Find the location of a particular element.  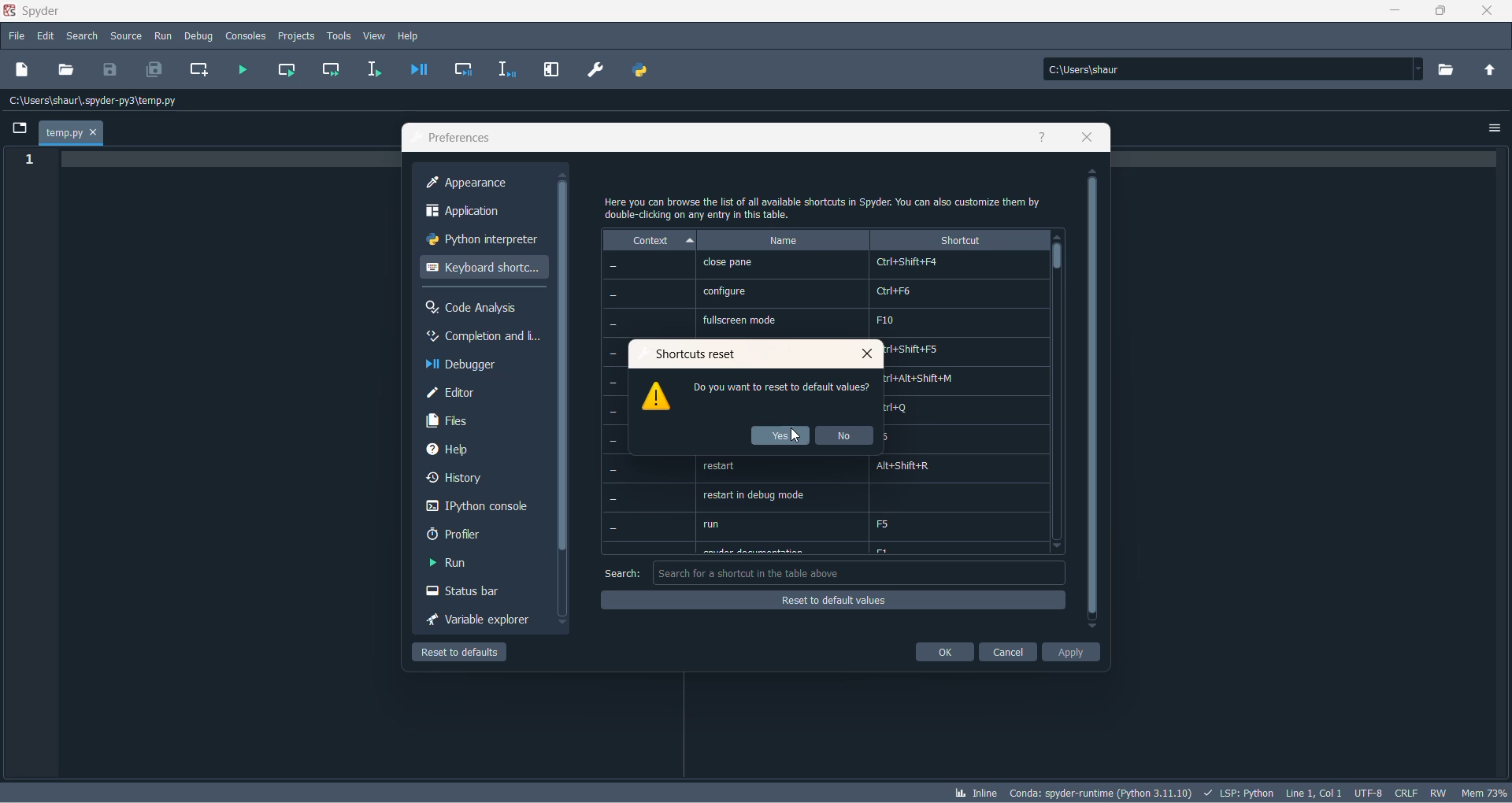

spyder version is located at coordinates (1099, 792).